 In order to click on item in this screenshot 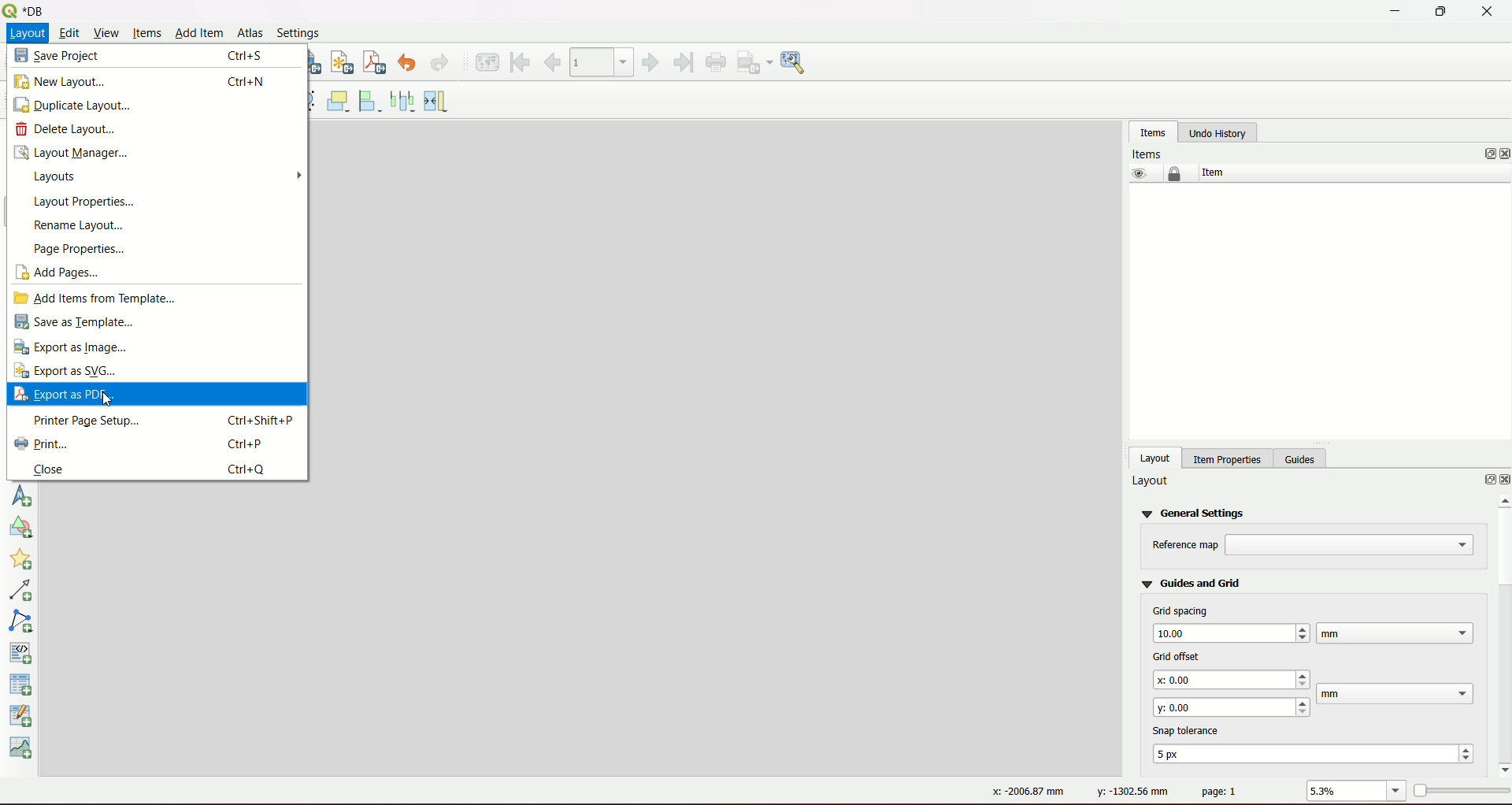, I will do `click(1211, 172)`.